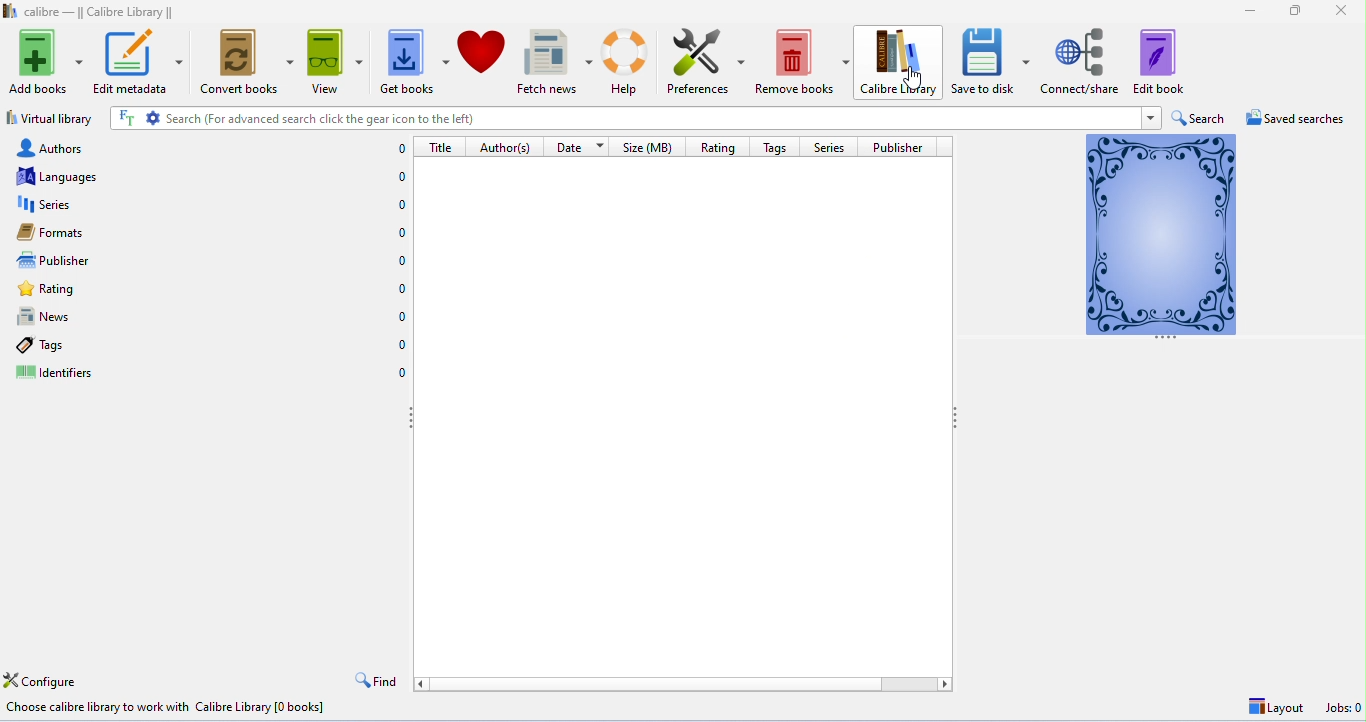  I want to click on save to disk, so click(994, 60).